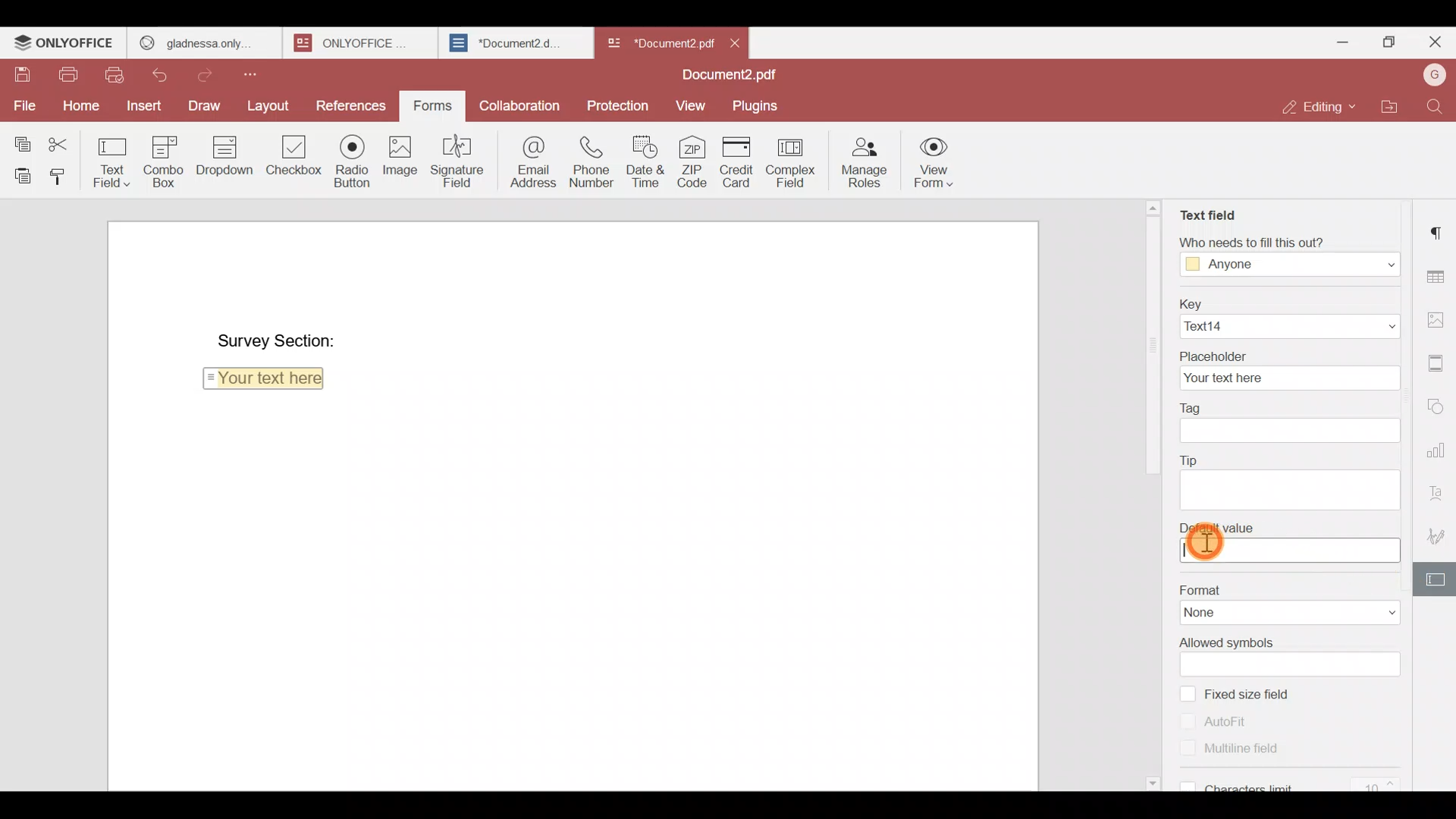  I want to click on Customize quick access toolbar, so click(265, 73).